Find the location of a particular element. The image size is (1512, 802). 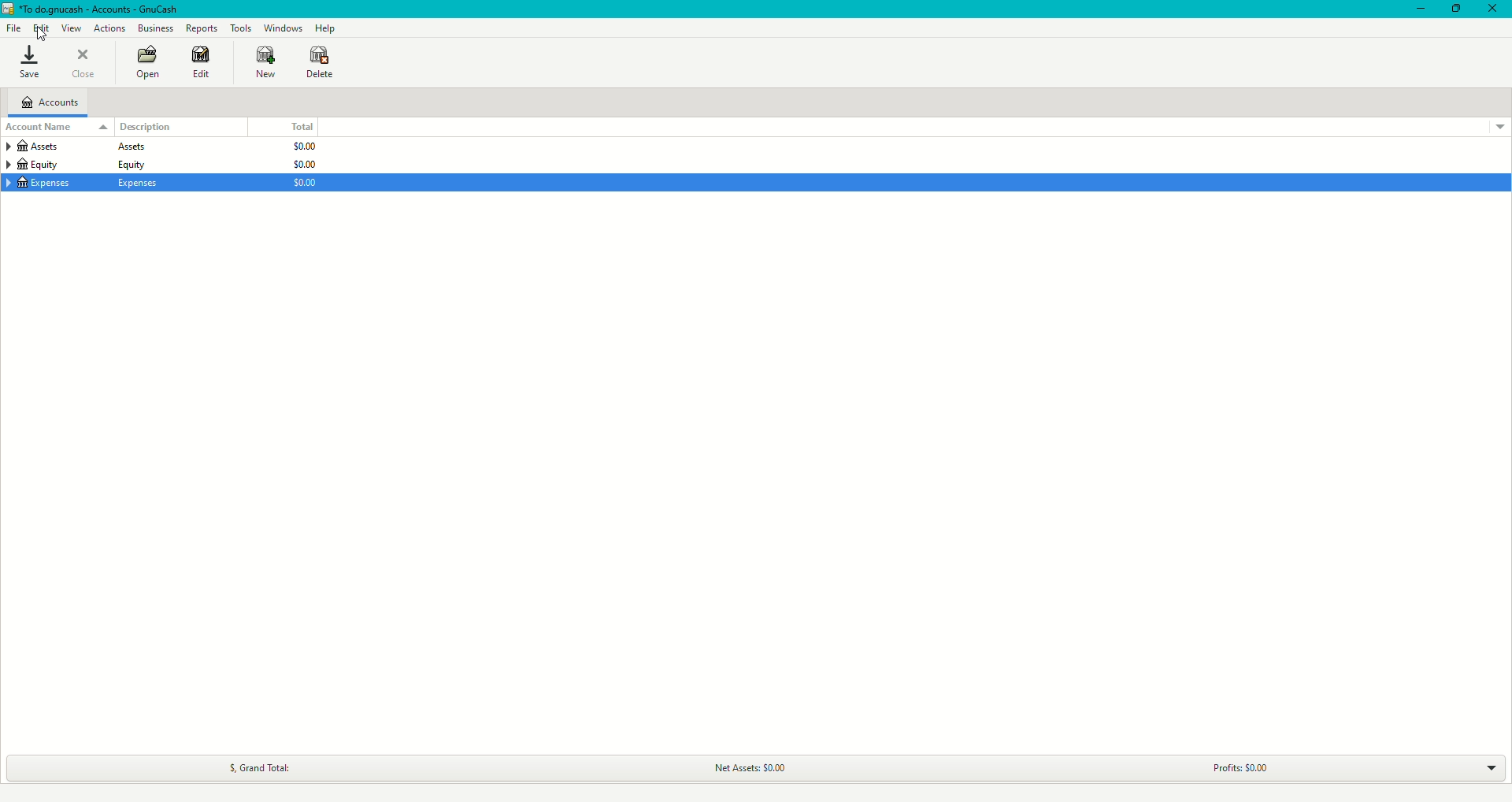

New is located at coordinates (267, 62).